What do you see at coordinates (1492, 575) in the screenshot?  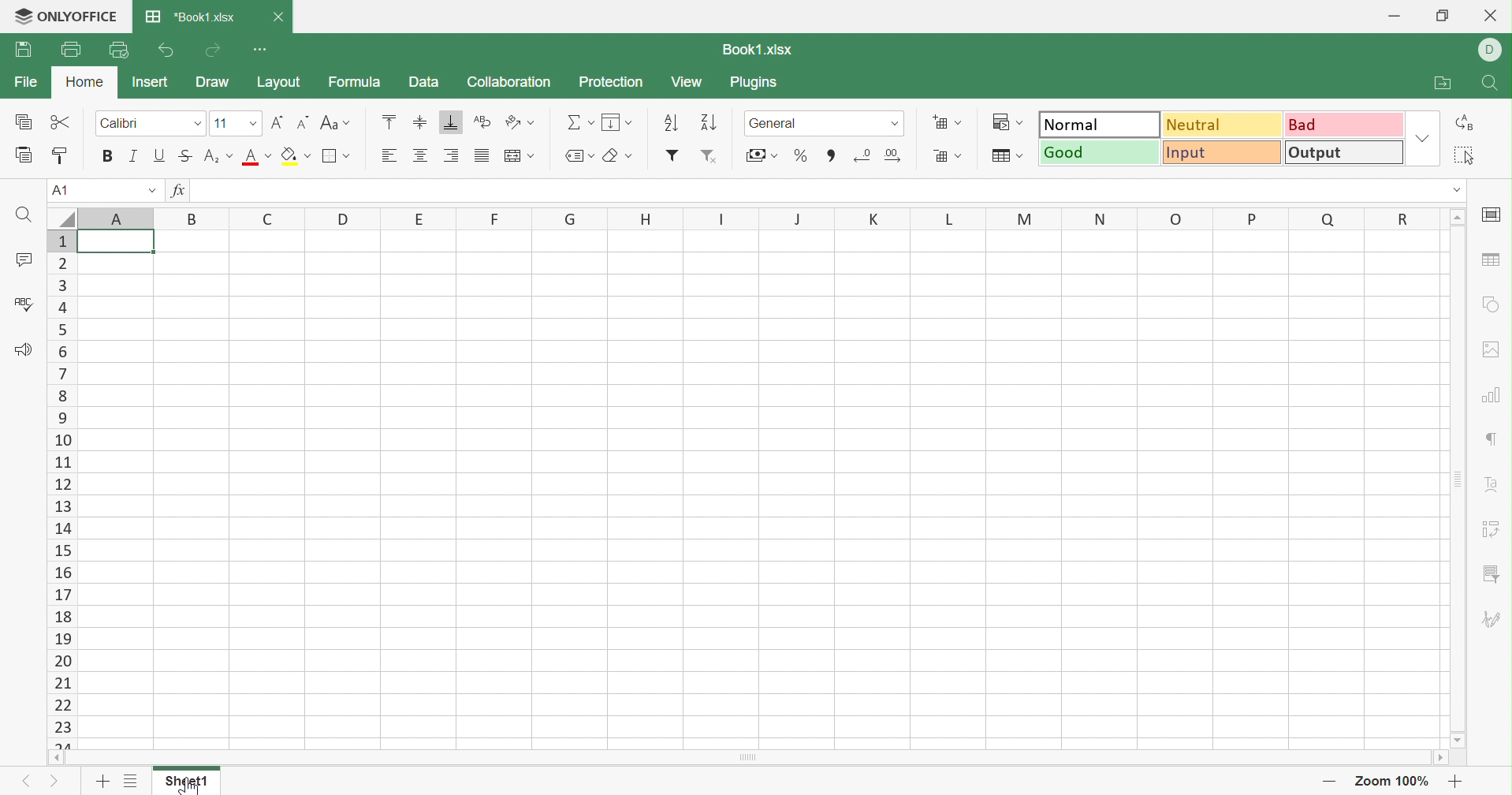 I see `Filter menu` at bounding box center [1492, 575].